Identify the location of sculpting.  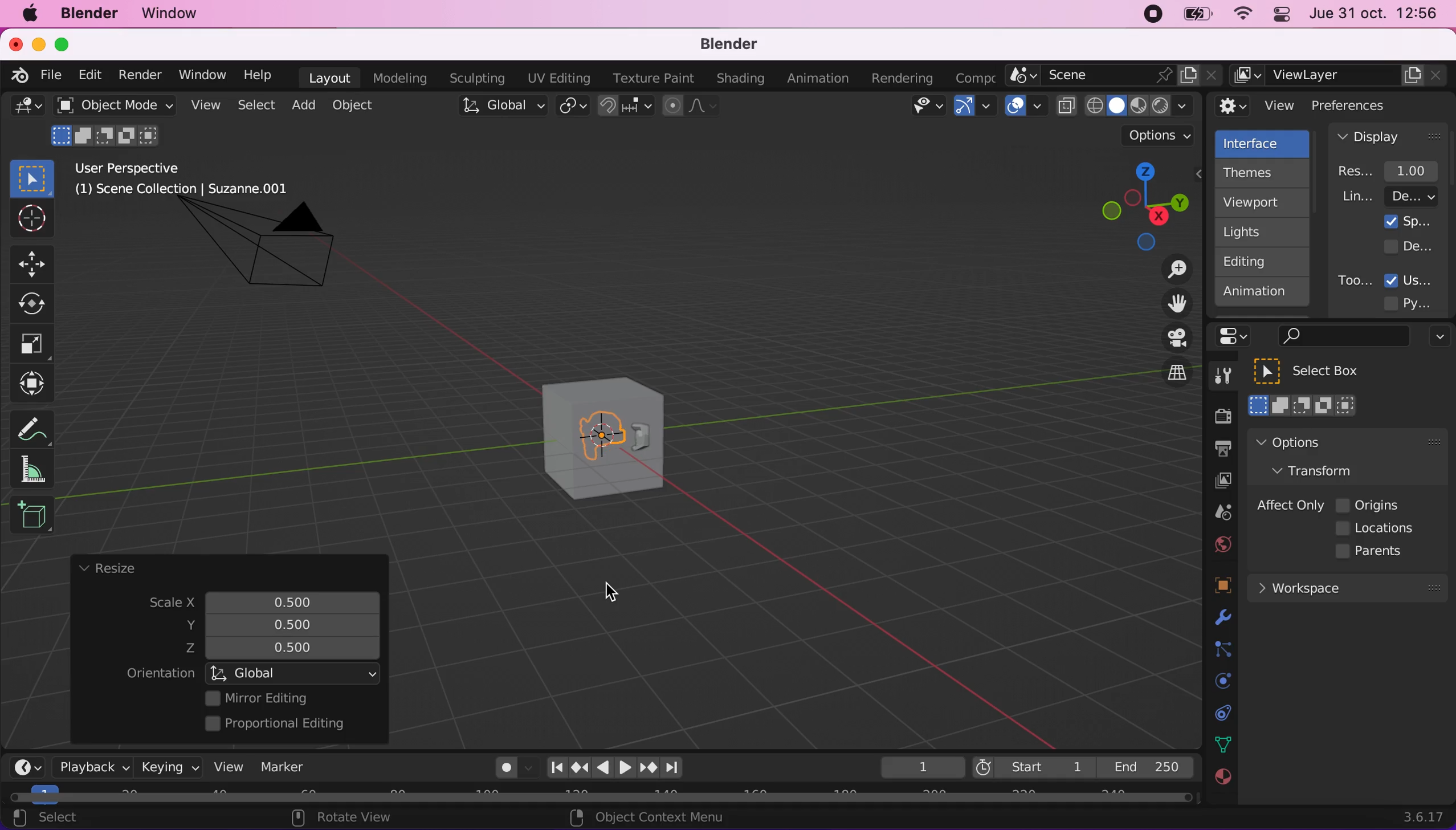
(474, 78).